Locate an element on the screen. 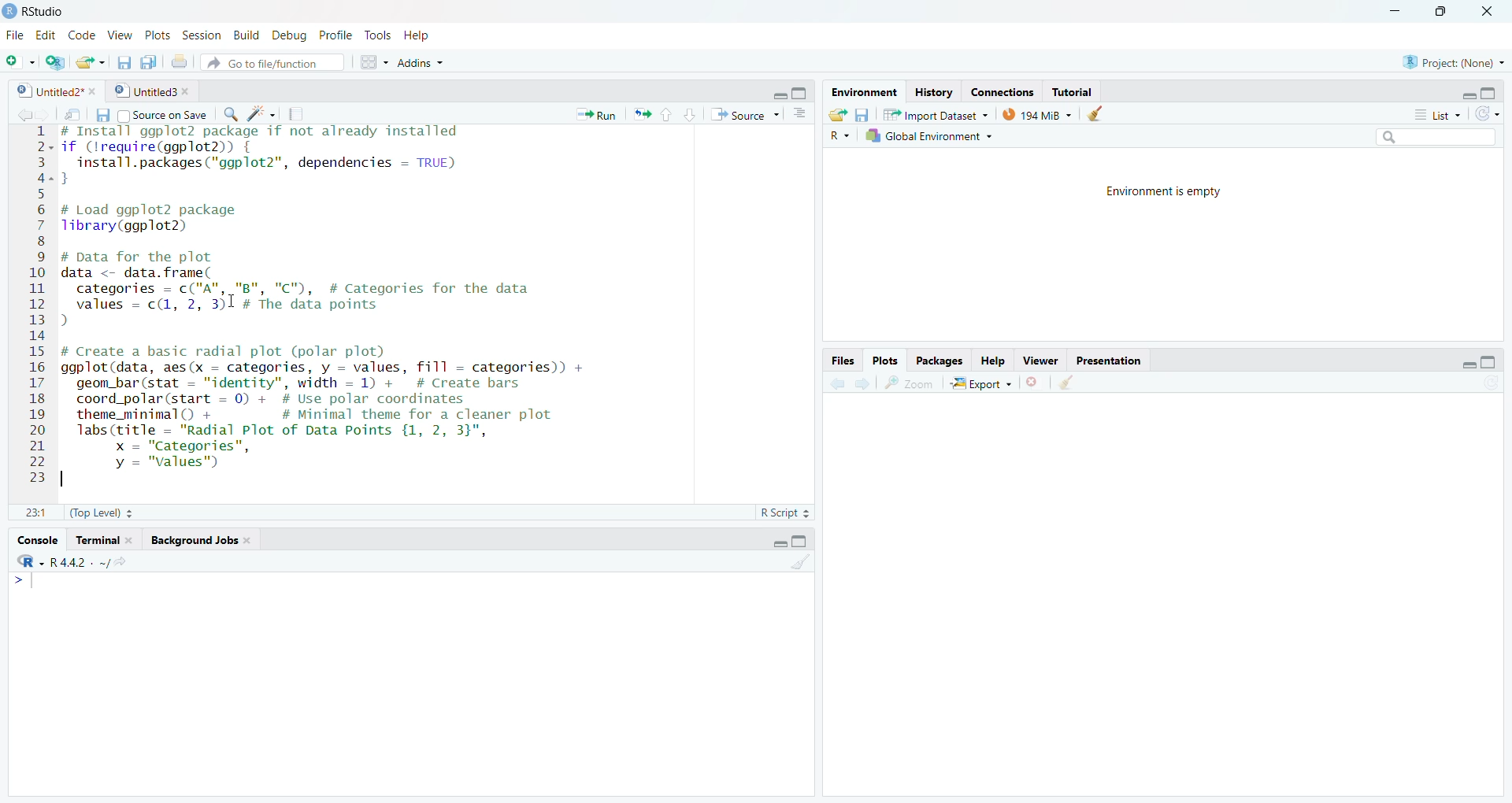 This screenshot has height=803, width=1512. Files is located at coordinates (844, 361).